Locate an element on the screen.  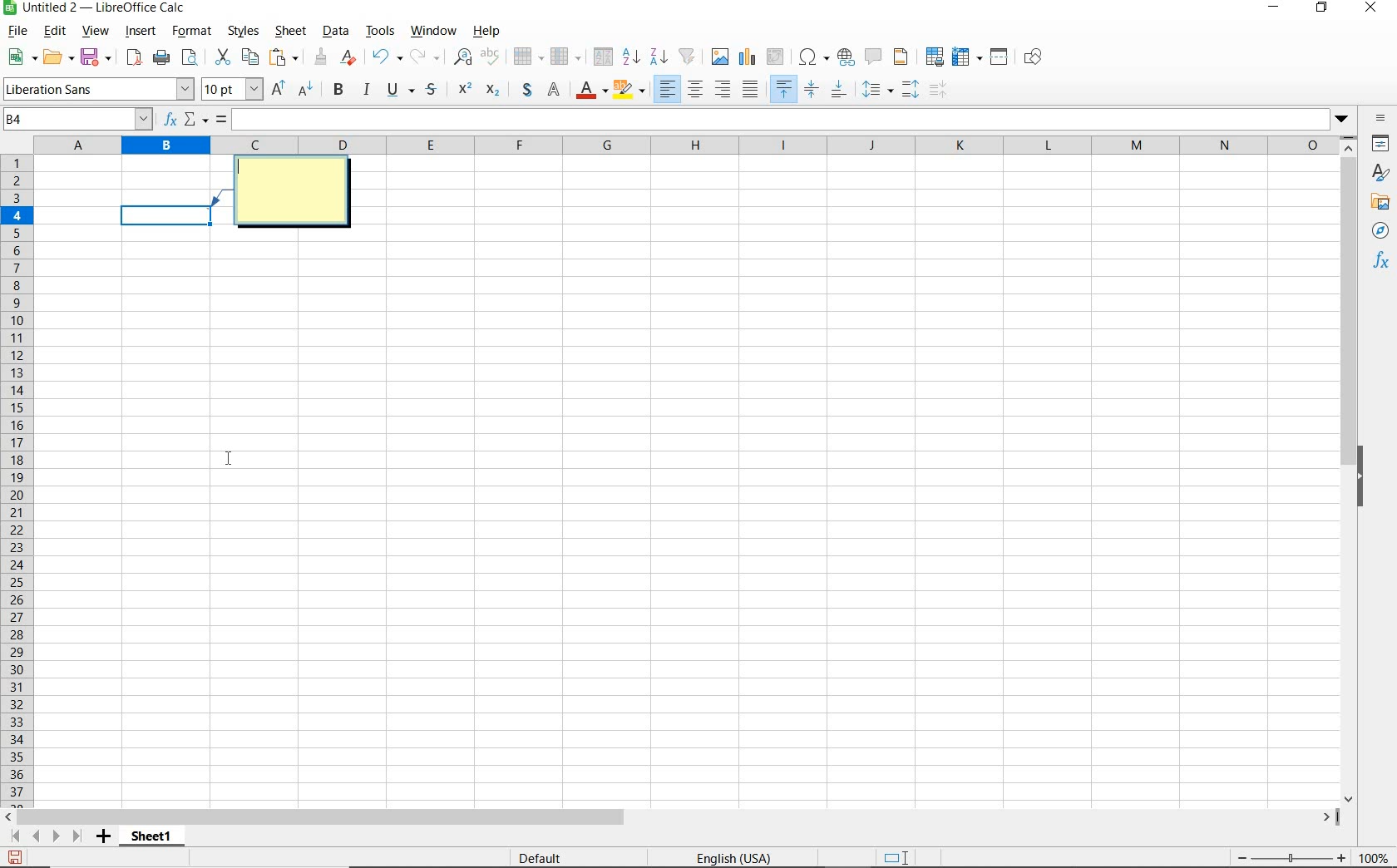
Superscript: Used to write exponents is located at coordinates (492, 88).